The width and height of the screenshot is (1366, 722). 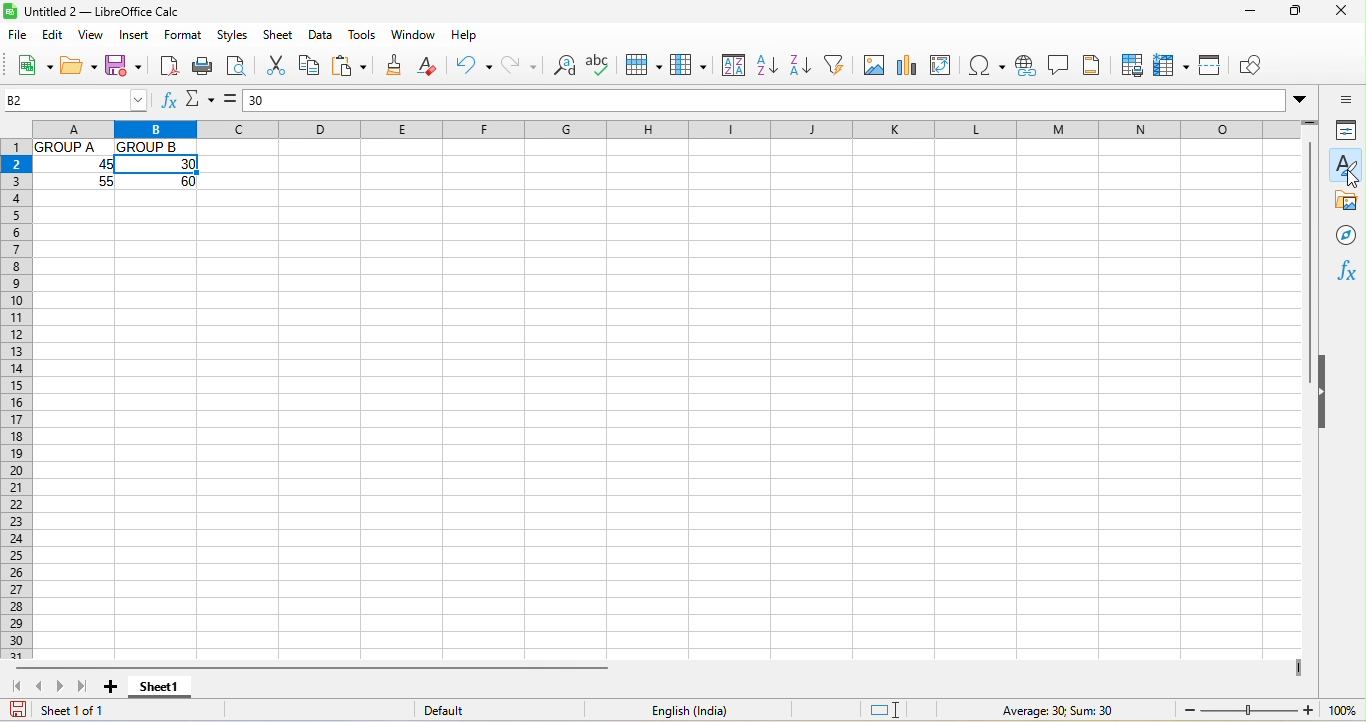 What do you see at coordinates (41, 687) in the screenshot?
I see `previous sheet` at bounding box center [41, 687].